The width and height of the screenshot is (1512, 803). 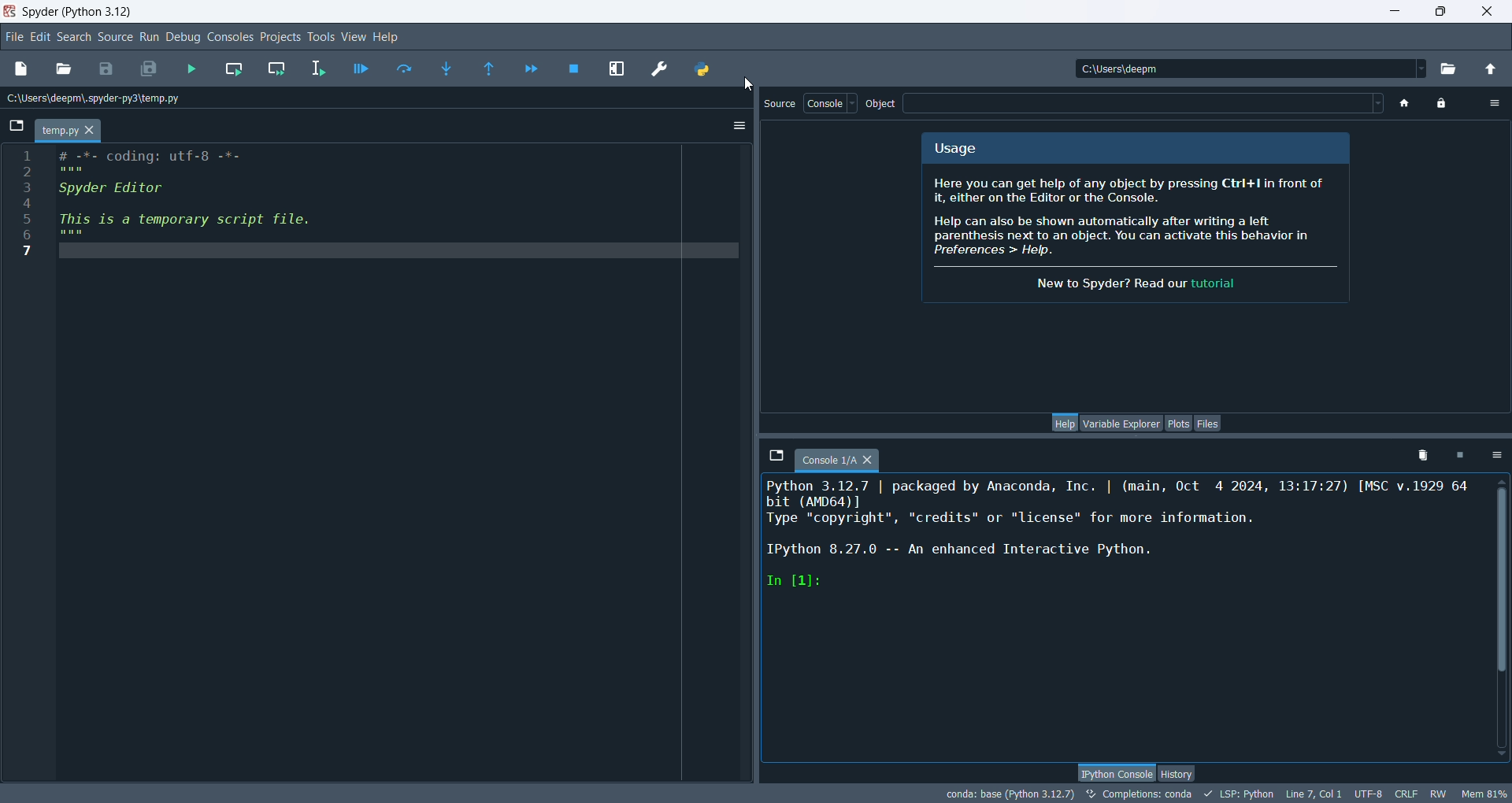 I want to click on UTF, so click(x=1369, y=794).